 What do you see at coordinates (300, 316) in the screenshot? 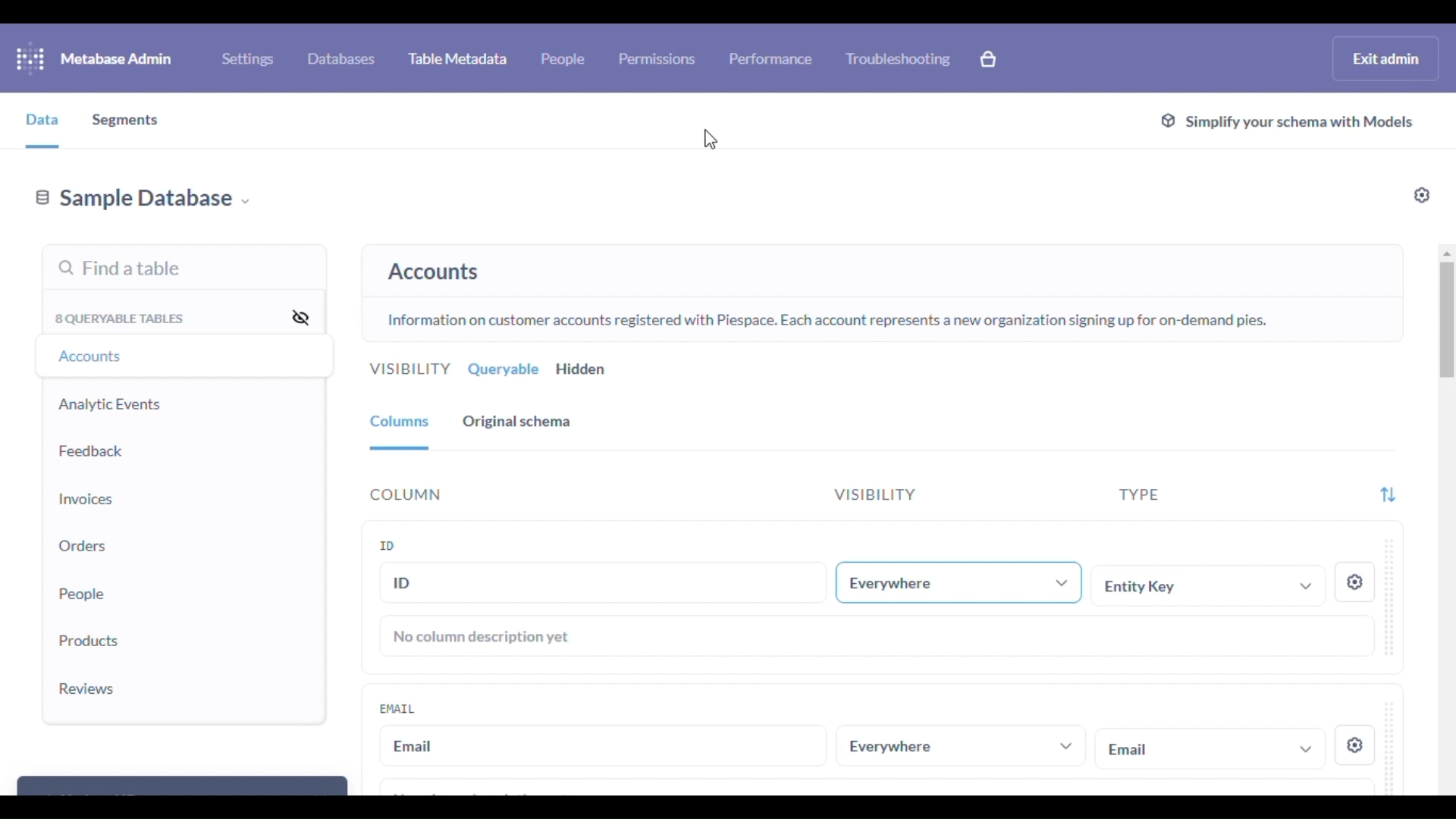
I see `hide all` at bounding box center [300, 316].